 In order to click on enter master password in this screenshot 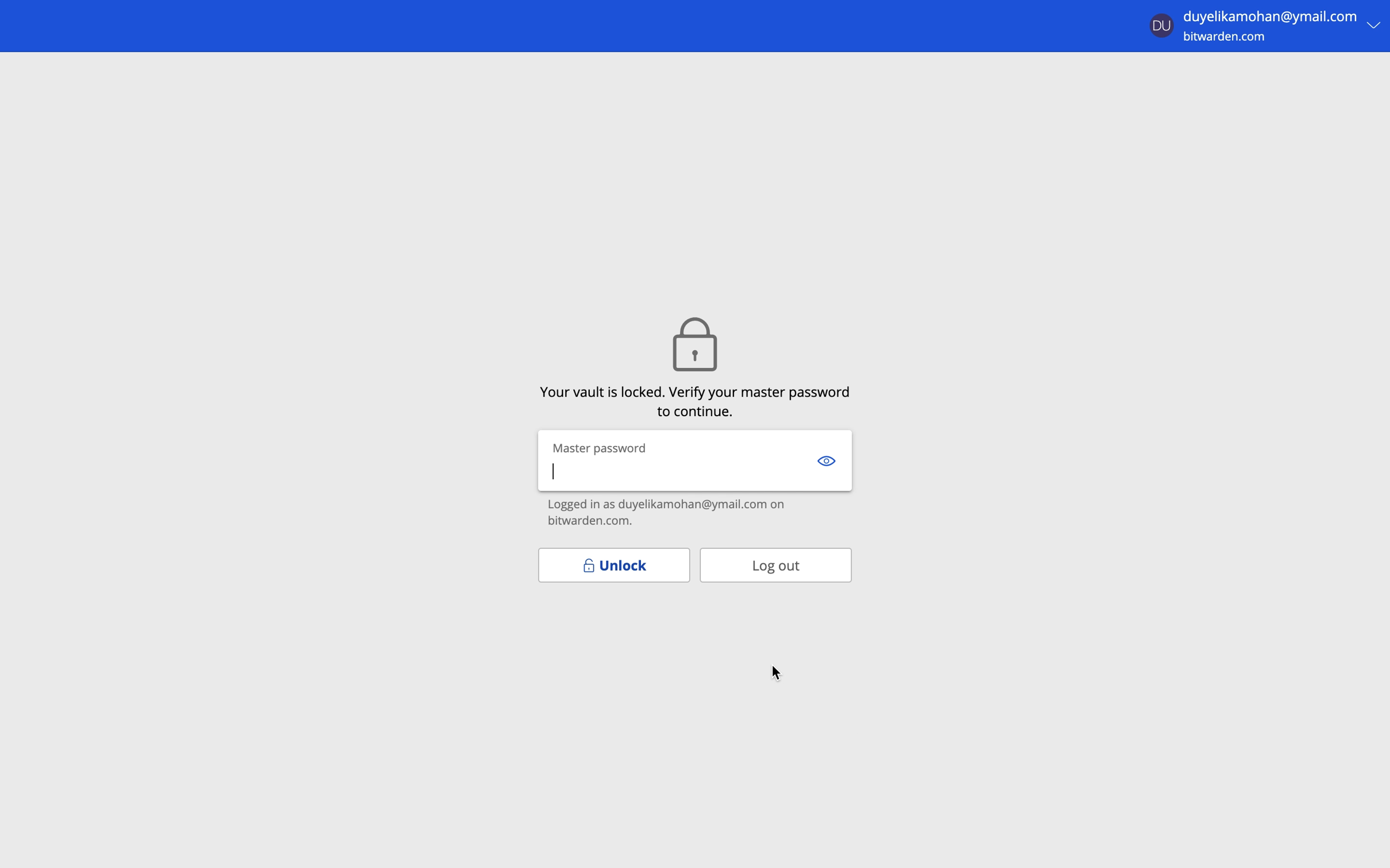, I will do `click(673, 475)`.